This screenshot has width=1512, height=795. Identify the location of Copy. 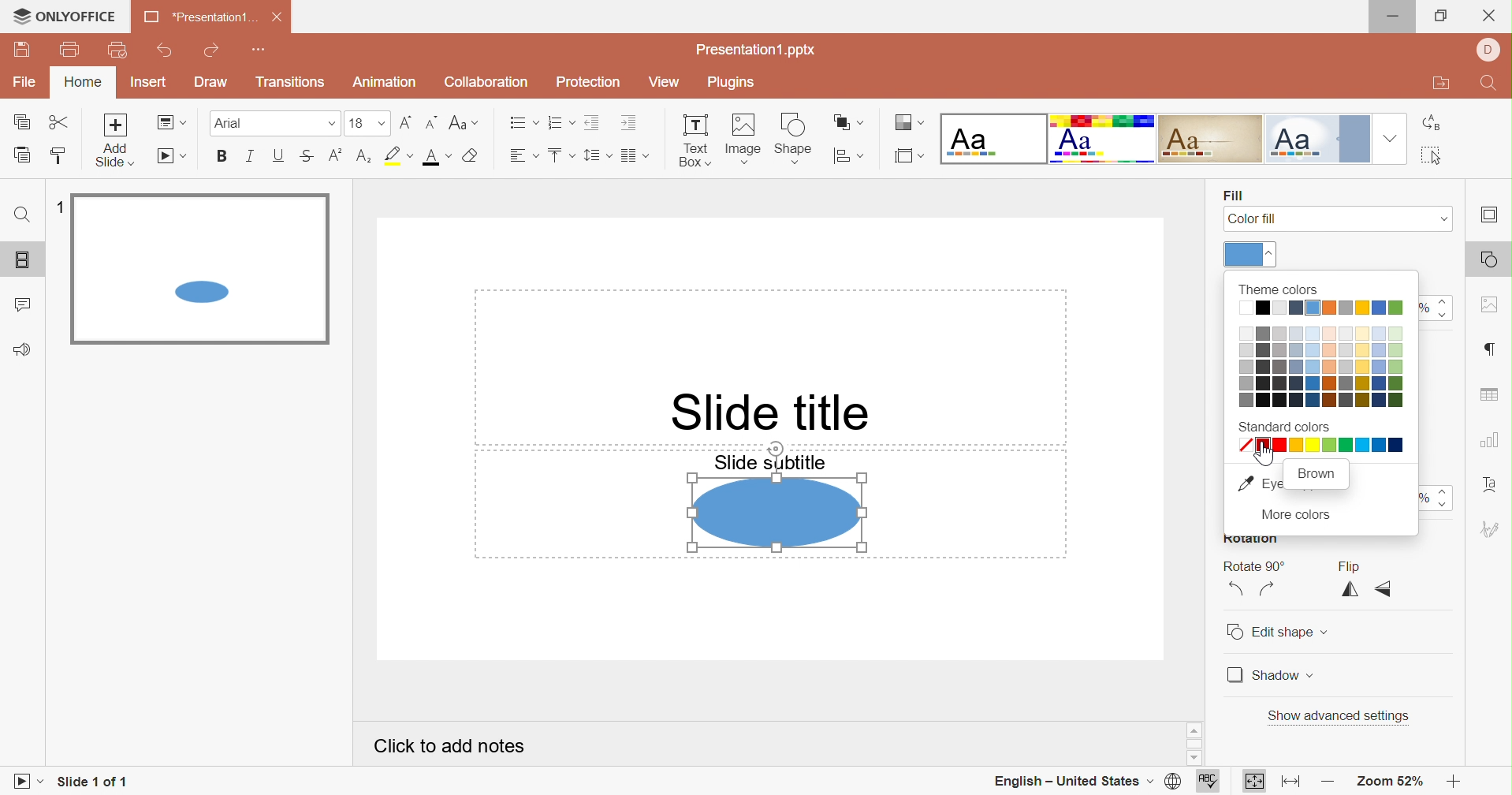
(23, 123).